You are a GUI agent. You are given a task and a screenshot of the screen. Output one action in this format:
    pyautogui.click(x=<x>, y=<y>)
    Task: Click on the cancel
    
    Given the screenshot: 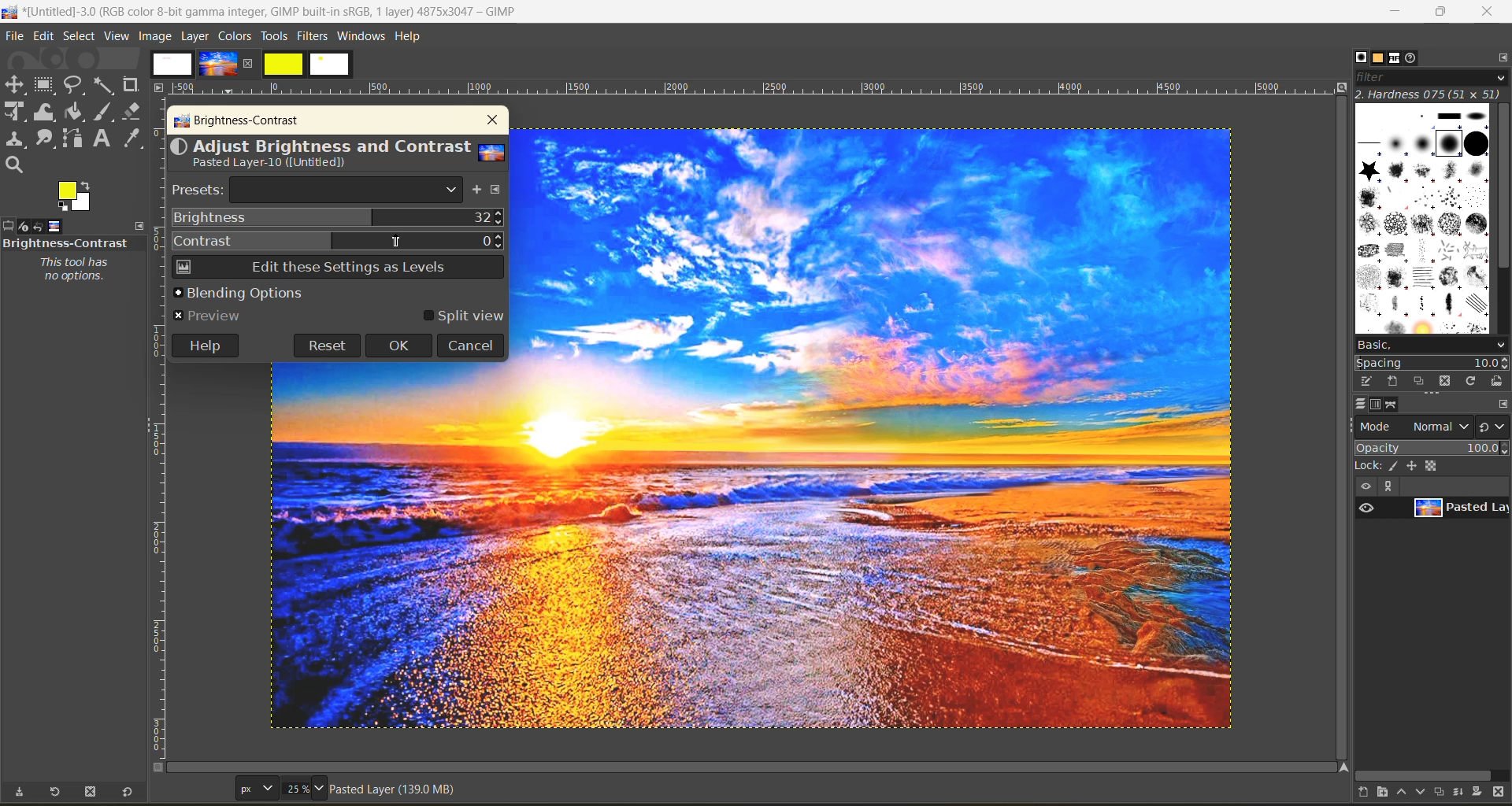 What is the action you would take?
    pyautogui.click(x=470, y=345)
    